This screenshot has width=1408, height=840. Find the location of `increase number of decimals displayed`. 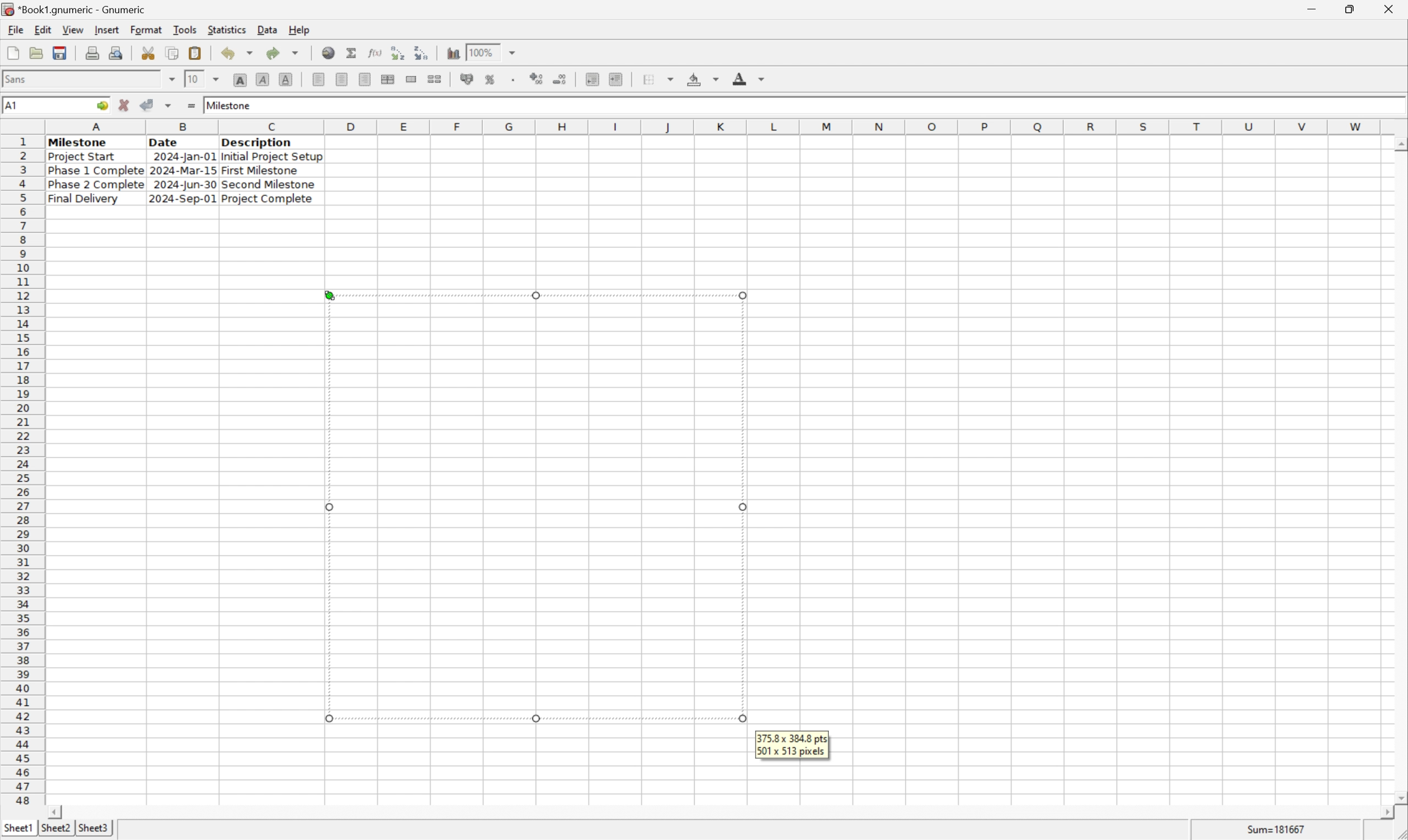

increase number of decimals displayed is located at coordinates (538, 79).